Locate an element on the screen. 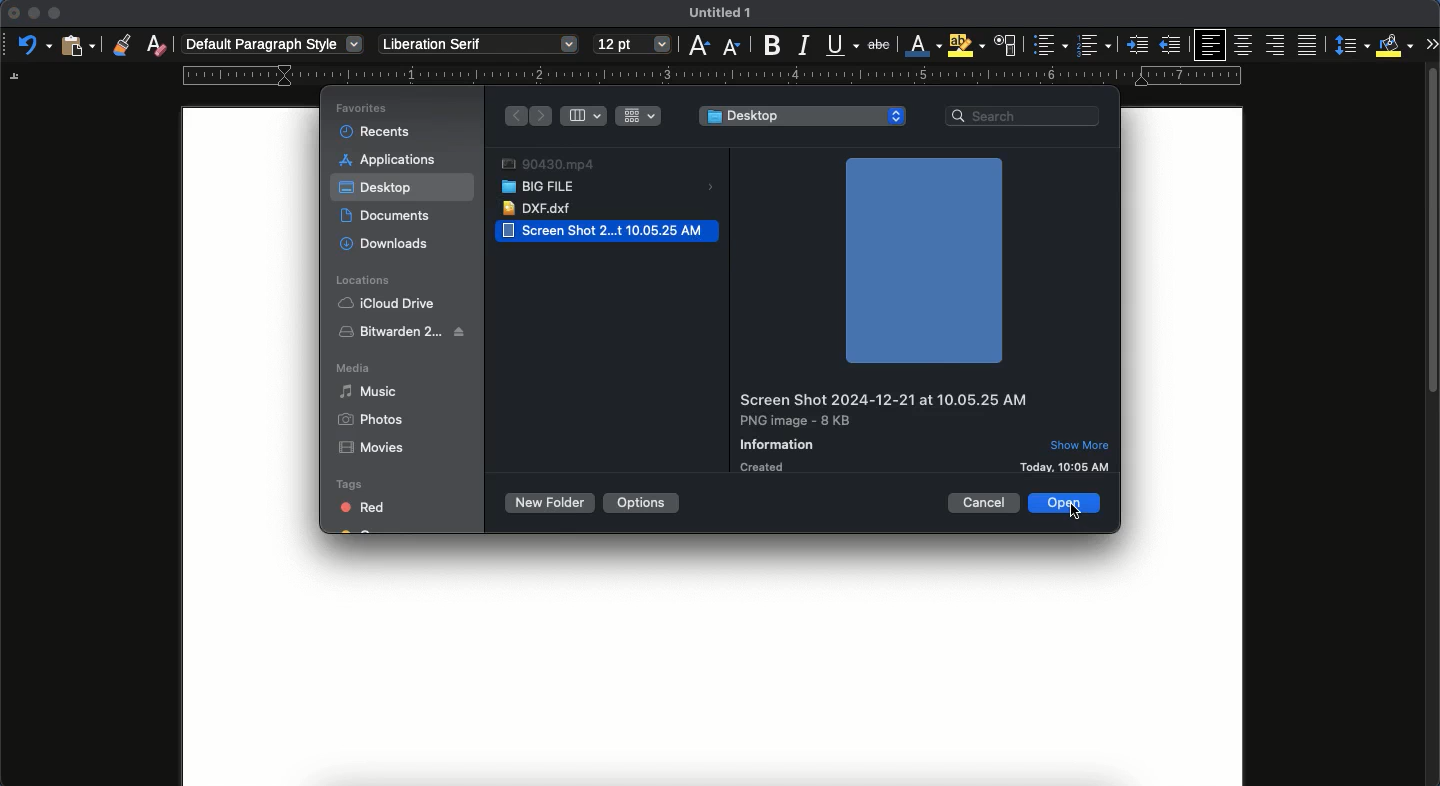 This screenshot has width=1440, height=786. iCloud Drive is located at coordinates (389, 303).